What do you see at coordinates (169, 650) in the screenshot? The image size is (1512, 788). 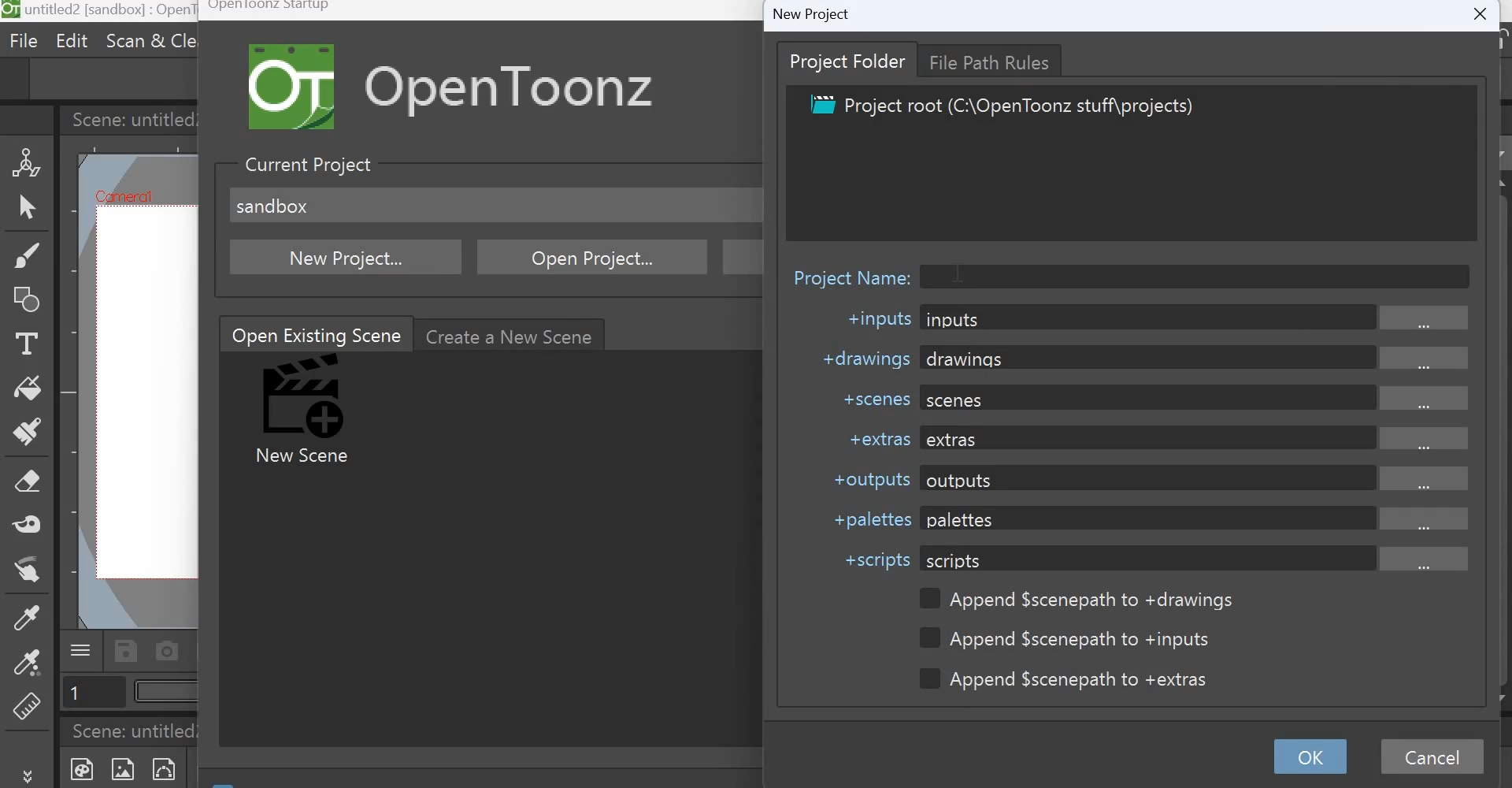 I see `Capture` at bounding box center [169, 650].